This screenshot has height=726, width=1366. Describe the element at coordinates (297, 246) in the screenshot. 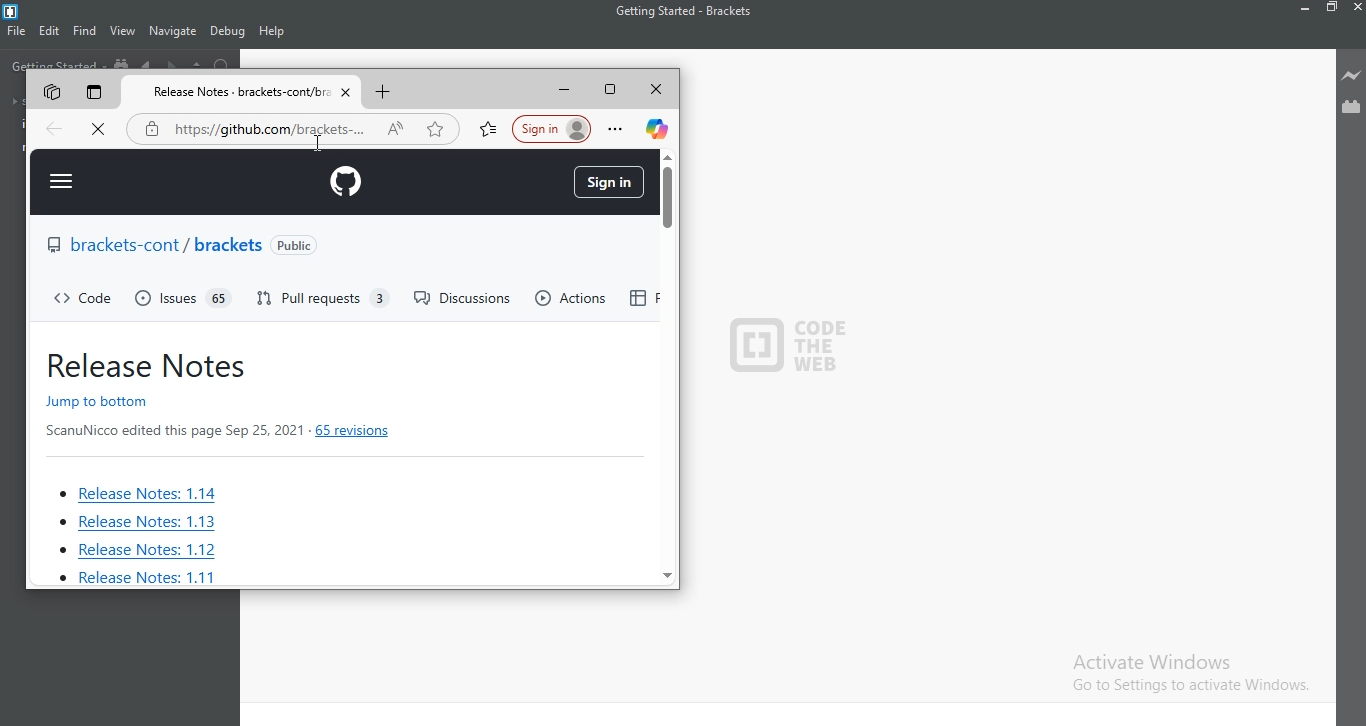

I see `public` at that location.